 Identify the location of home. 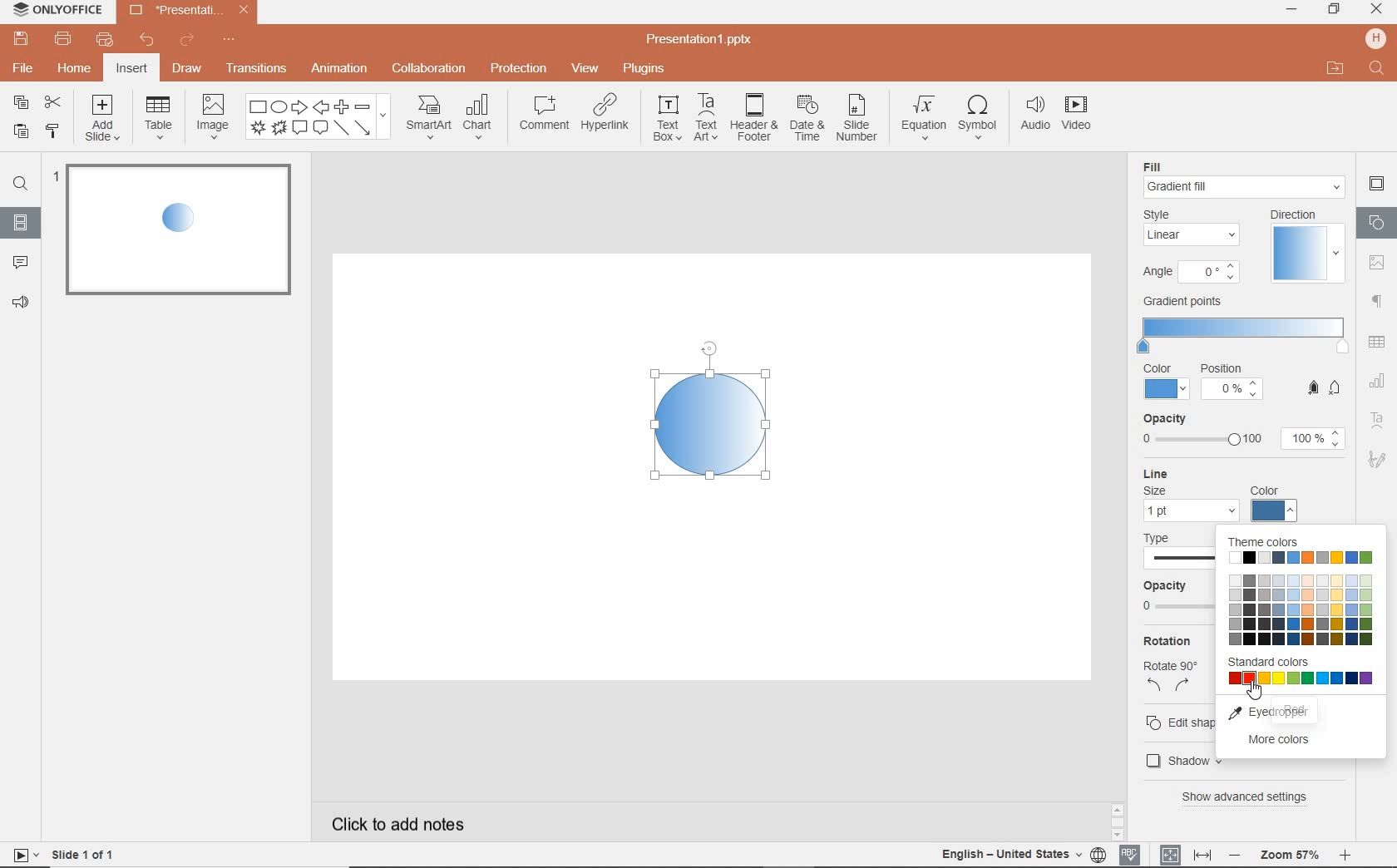
(77, 69).